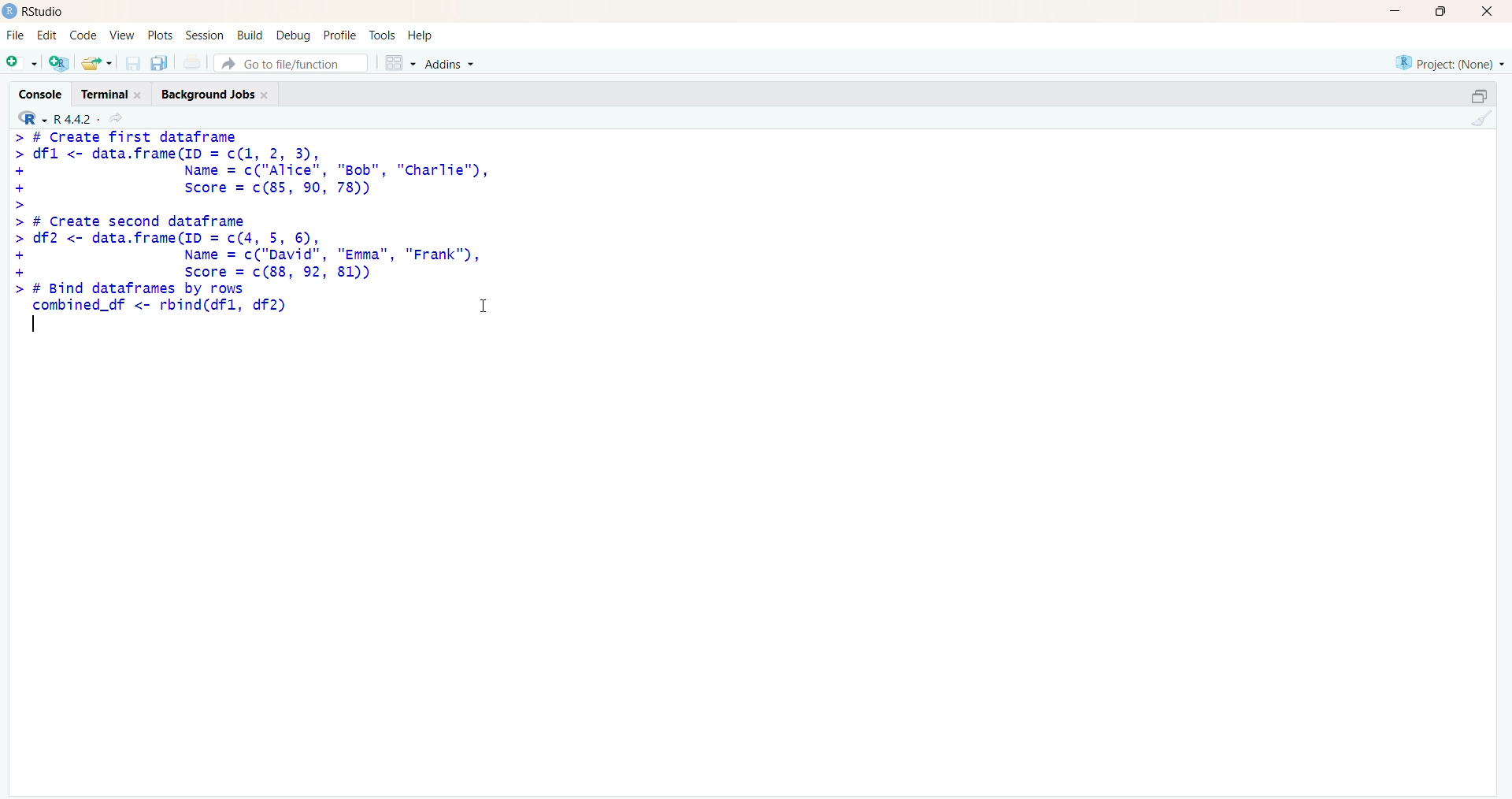 The height and width of the screenshot is (799, 1512). What do you see at coordinates (159, 35) in the screenshot?
I see `Plots` at bounding box center [159, 35].